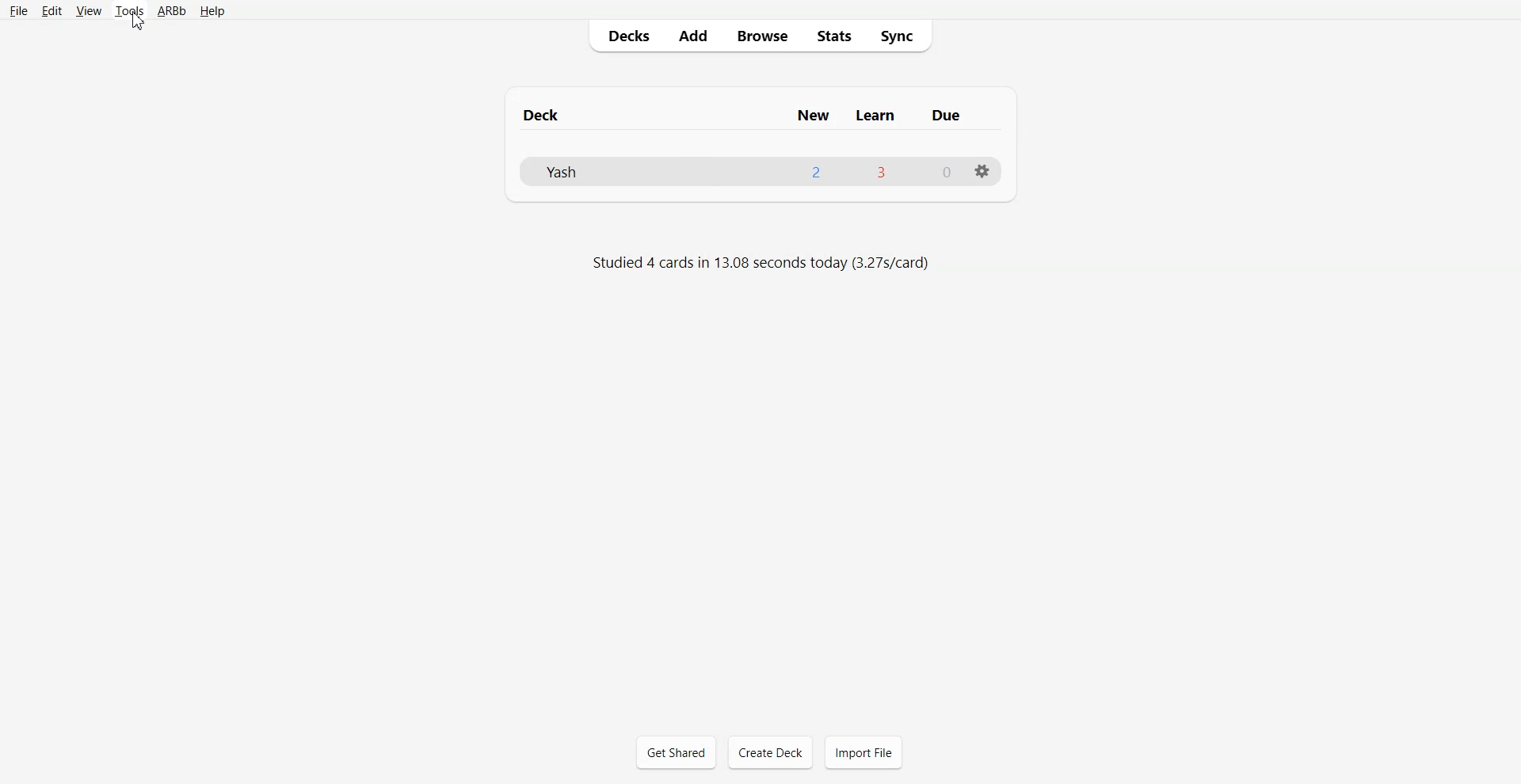  I want to click on Browse, so click(761, 35).